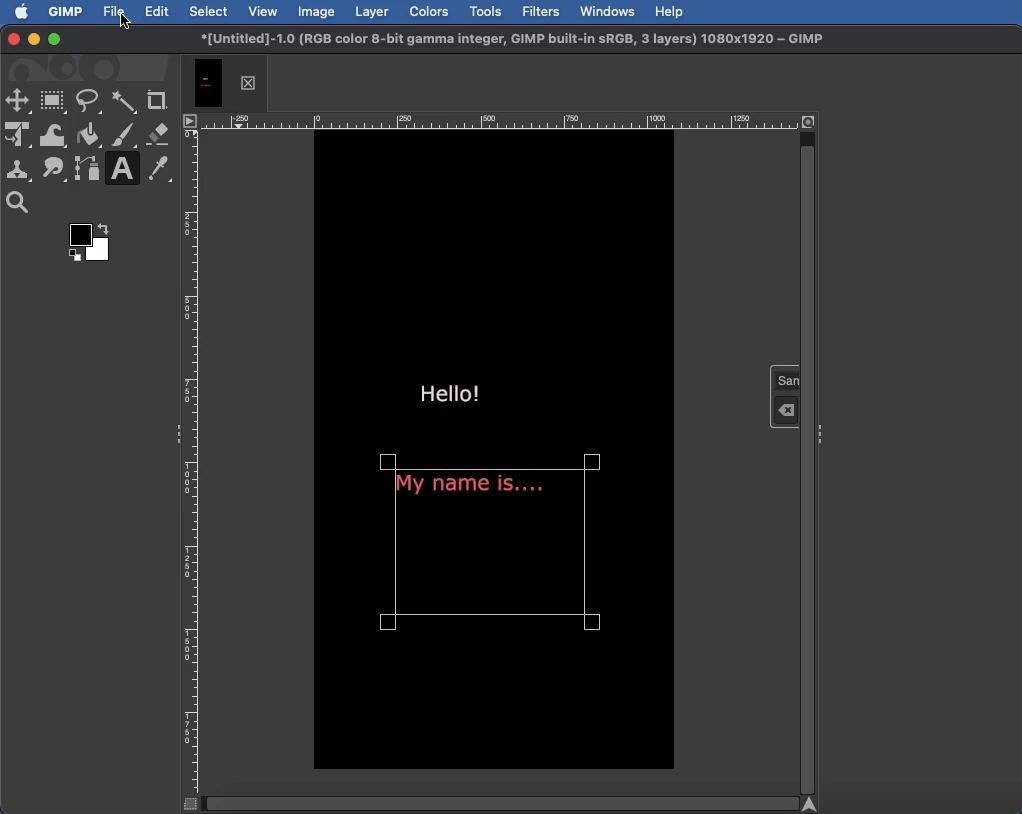 Image resolution: width=1022 pixels, height=814 pixels. Describe the element at coordinates (670, 12) in the screenshot. I see `Help` at that location.